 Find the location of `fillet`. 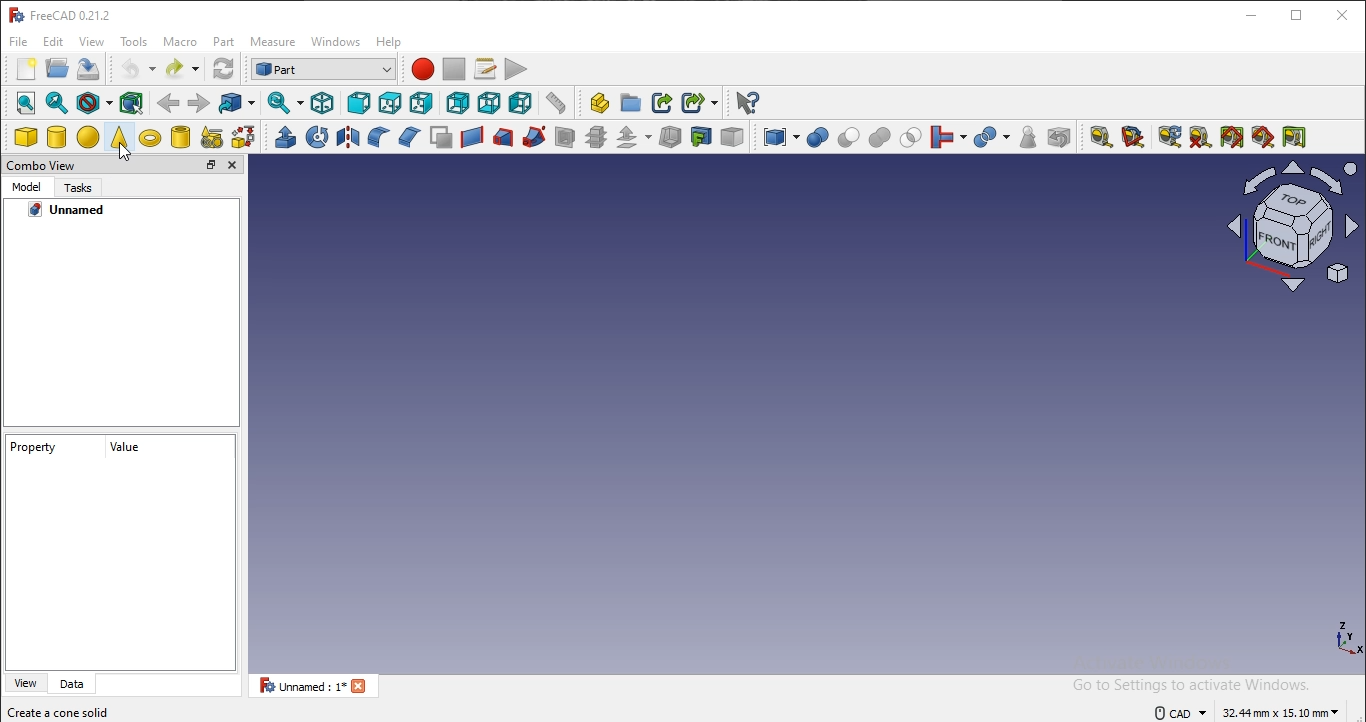

fillet is located at coordinates (375, 138).